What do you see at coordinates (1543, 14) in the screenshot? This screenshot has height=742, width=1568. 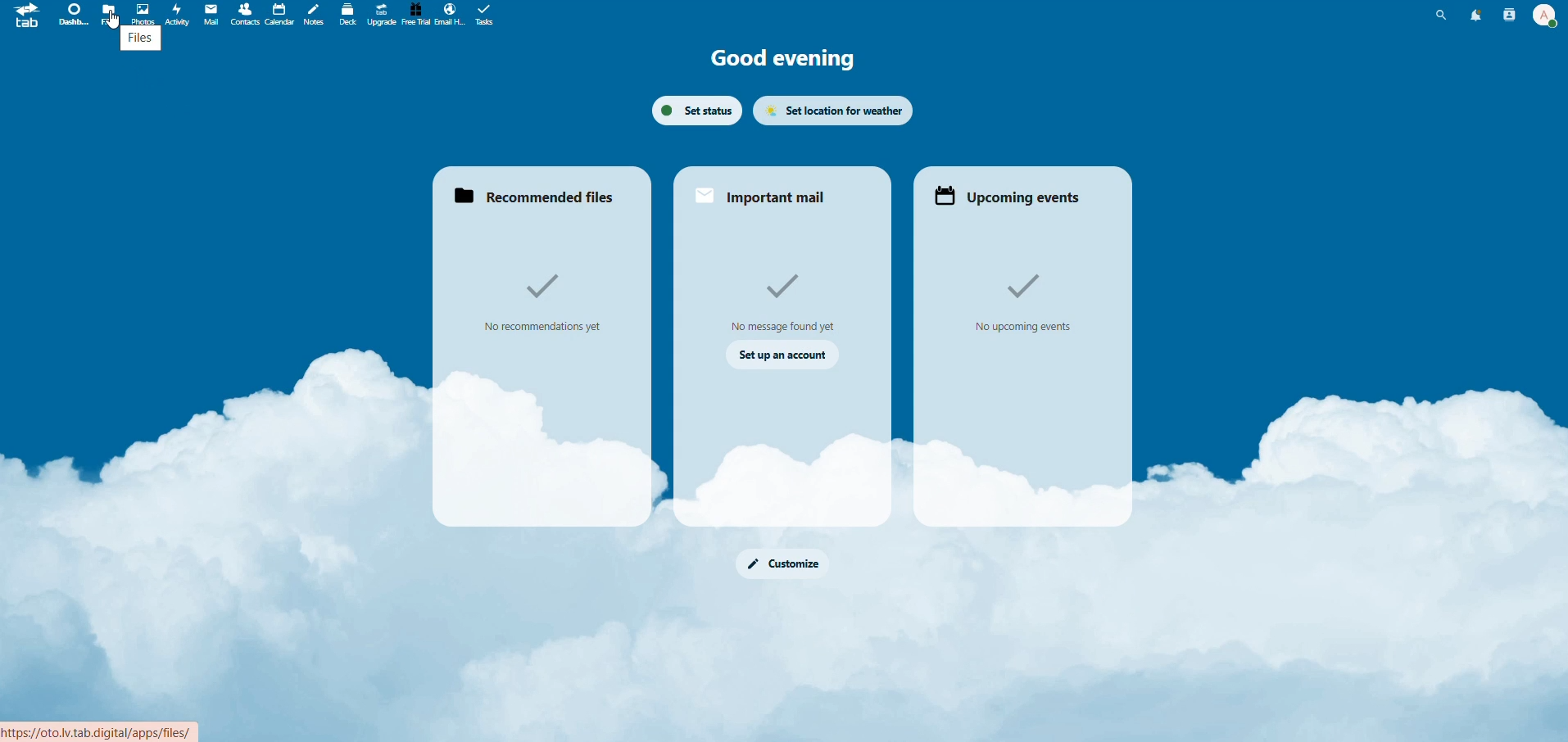 I see `Profile` at bounding box center [1543, 14].